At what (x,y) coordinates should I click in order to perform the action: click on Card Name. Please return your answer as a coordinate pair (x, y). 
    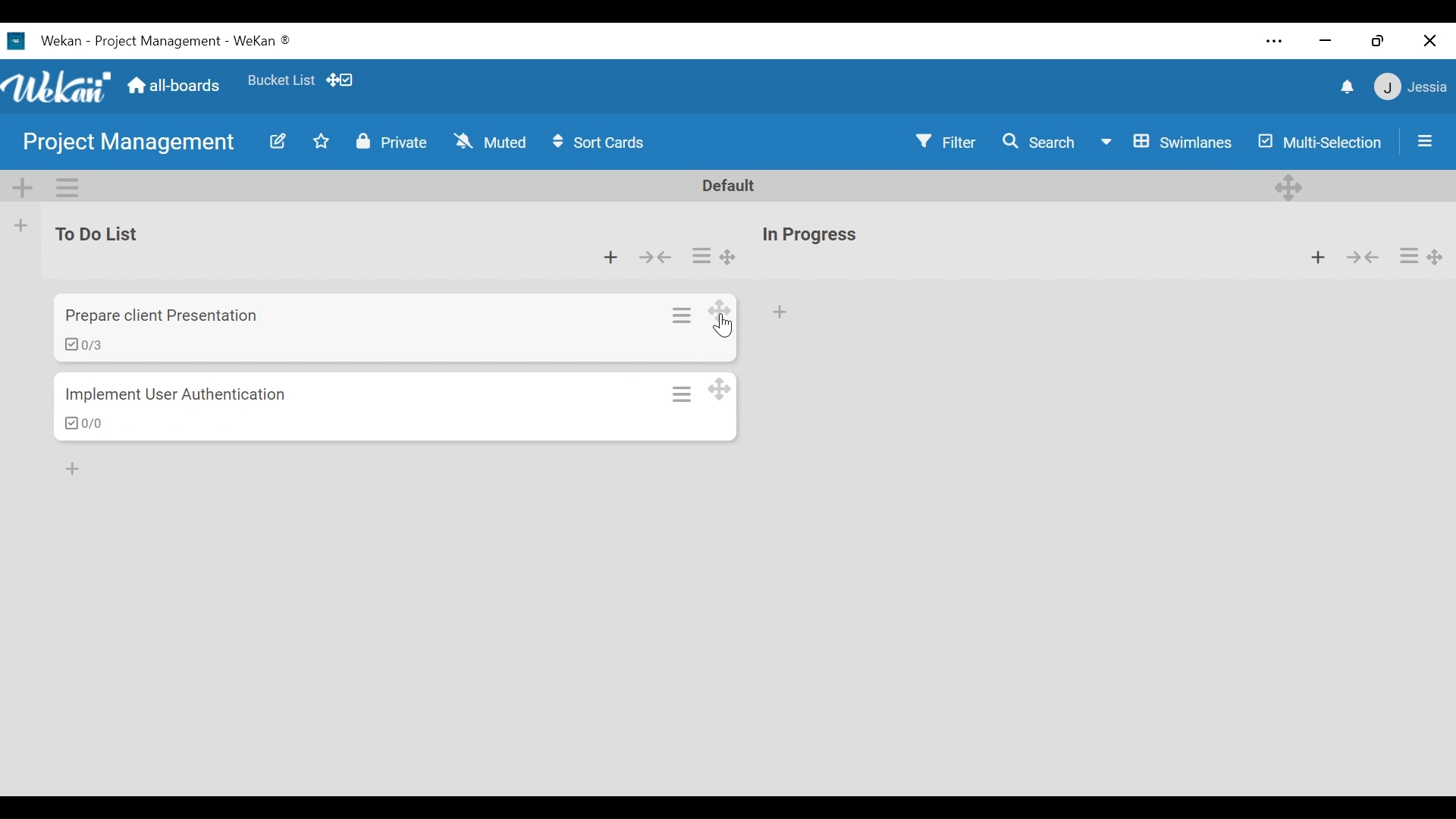
    Looking at the image, I should click on (179, 394).